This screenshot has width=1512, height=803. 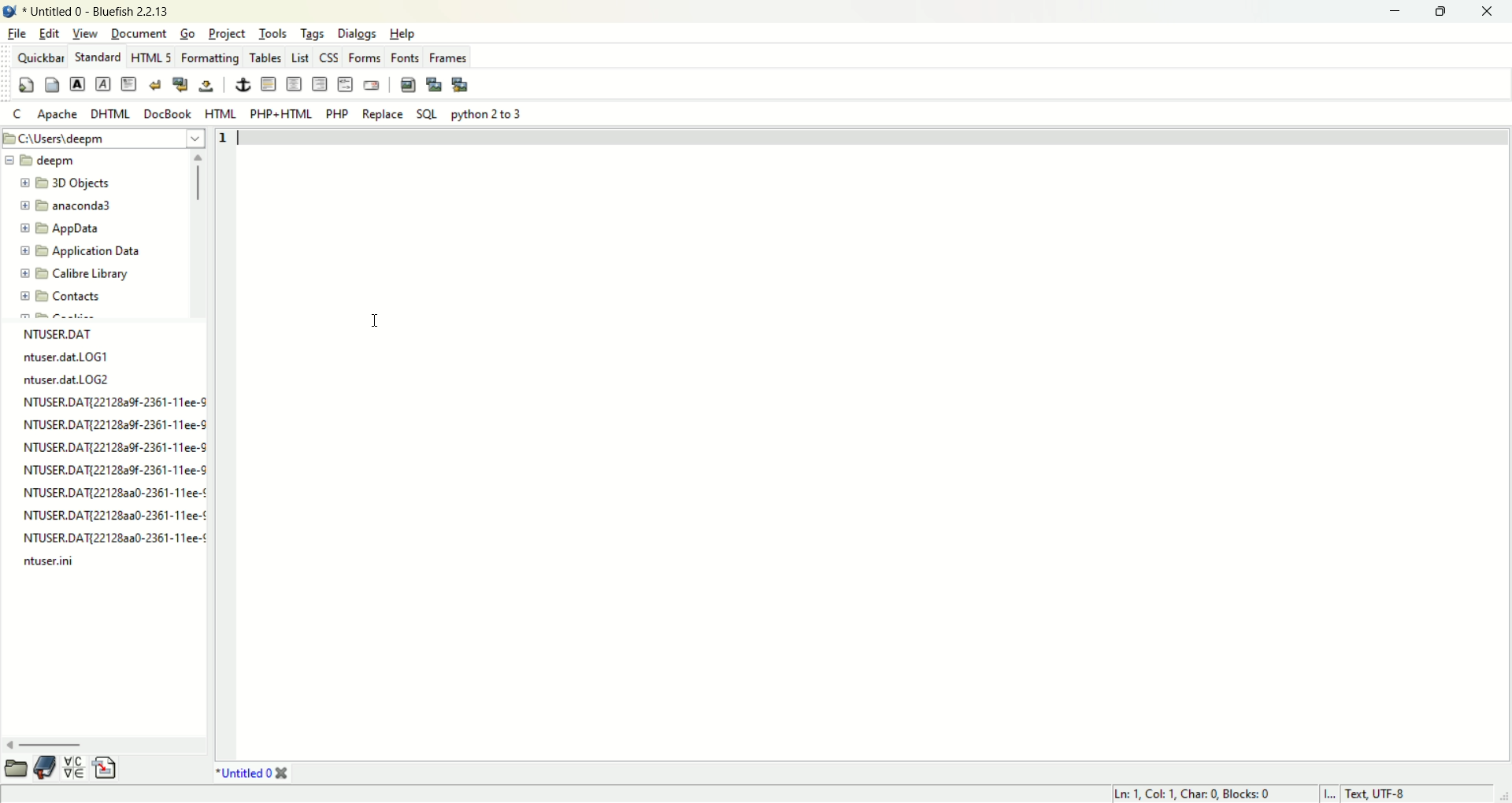 I want to click on NTUSER.DATI?22128a0f-2361-11ee-C, so click(x=118, y=448).